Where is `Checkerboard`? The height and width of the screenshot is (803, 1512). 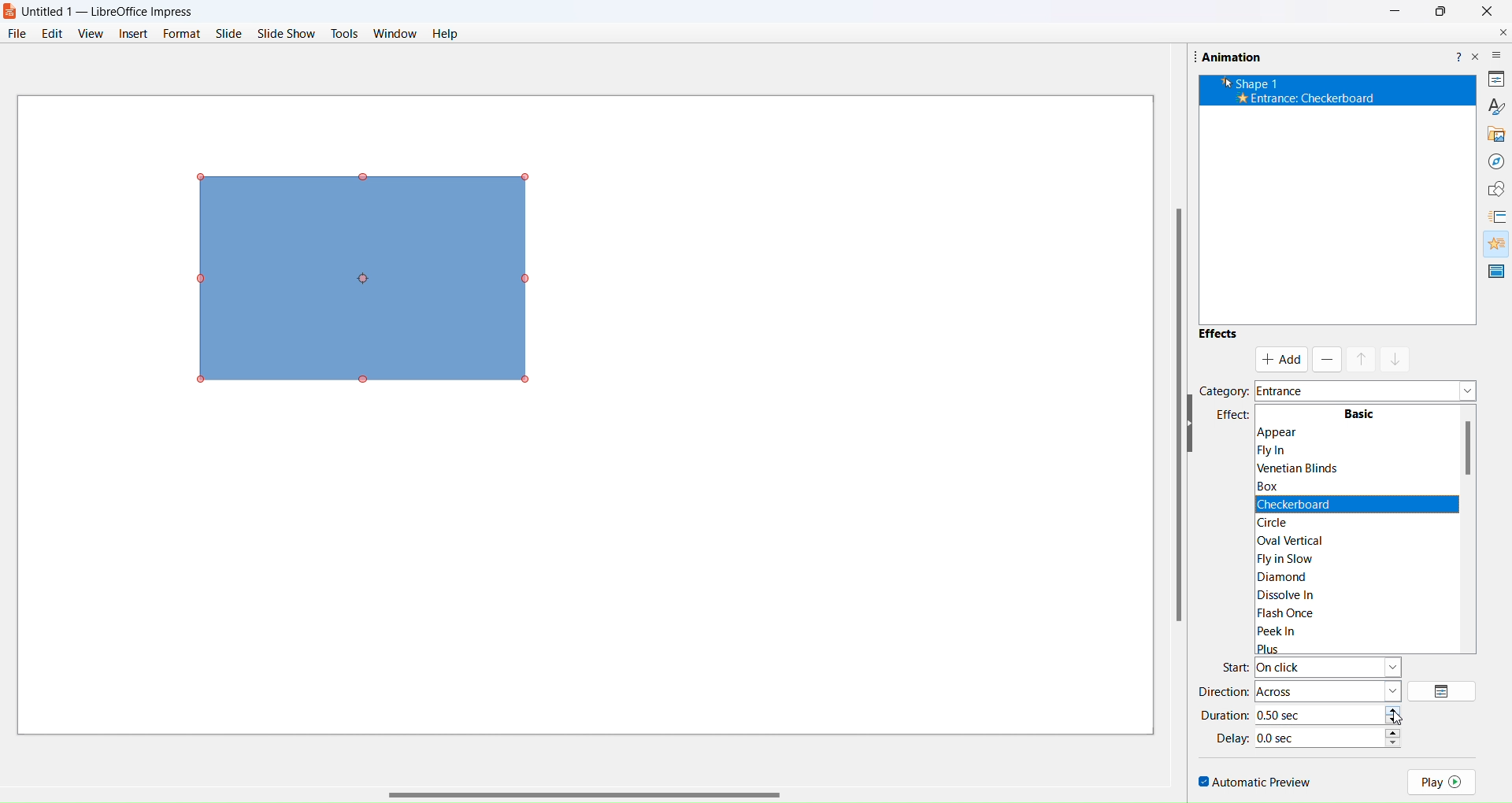
Checkerboard is located at coordinates (1298, 503).